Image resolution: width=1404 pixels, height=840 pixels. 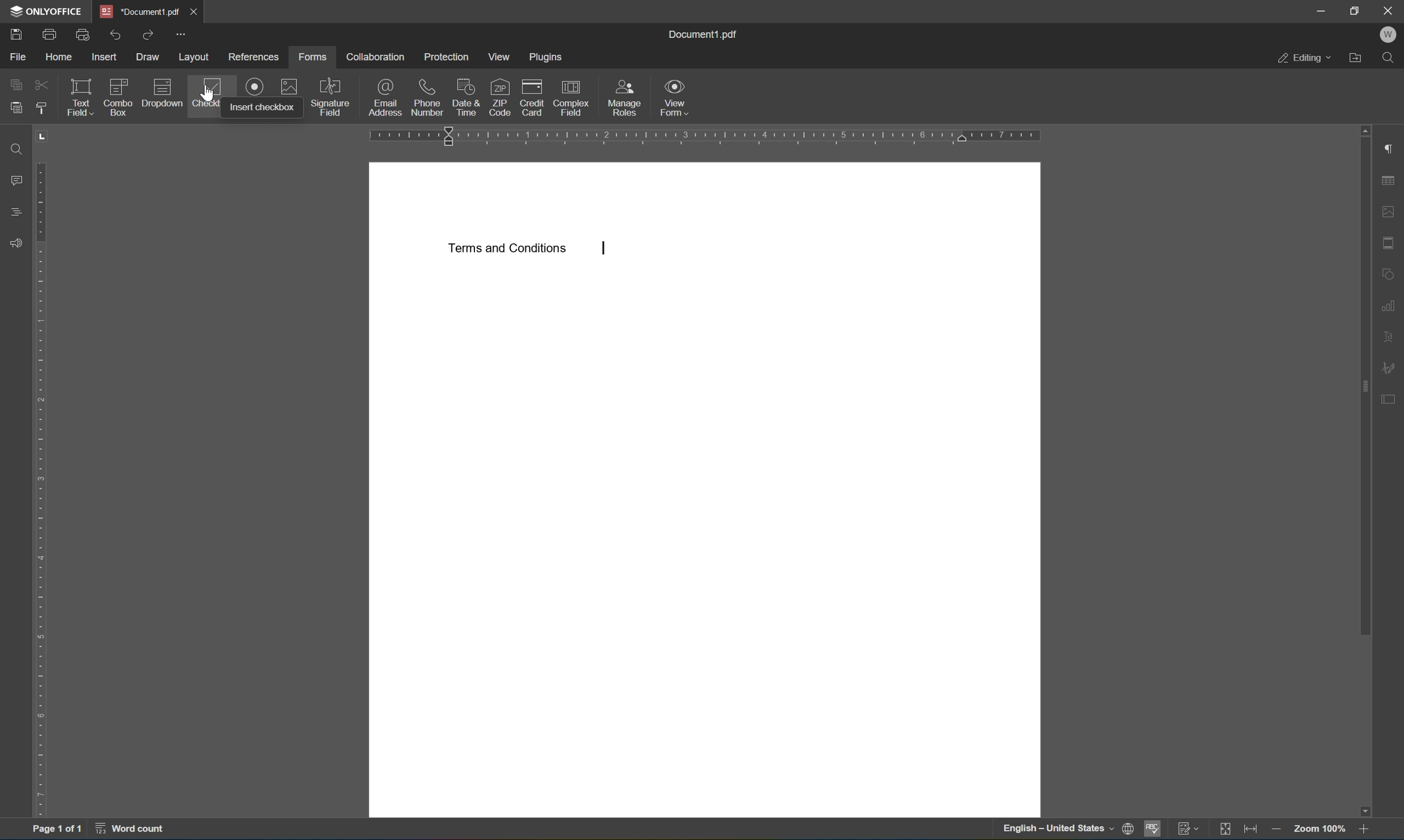 What do you see at coordinates (149, 58) in the screenshot?
I see `draw` at bounding box center [149, 58].